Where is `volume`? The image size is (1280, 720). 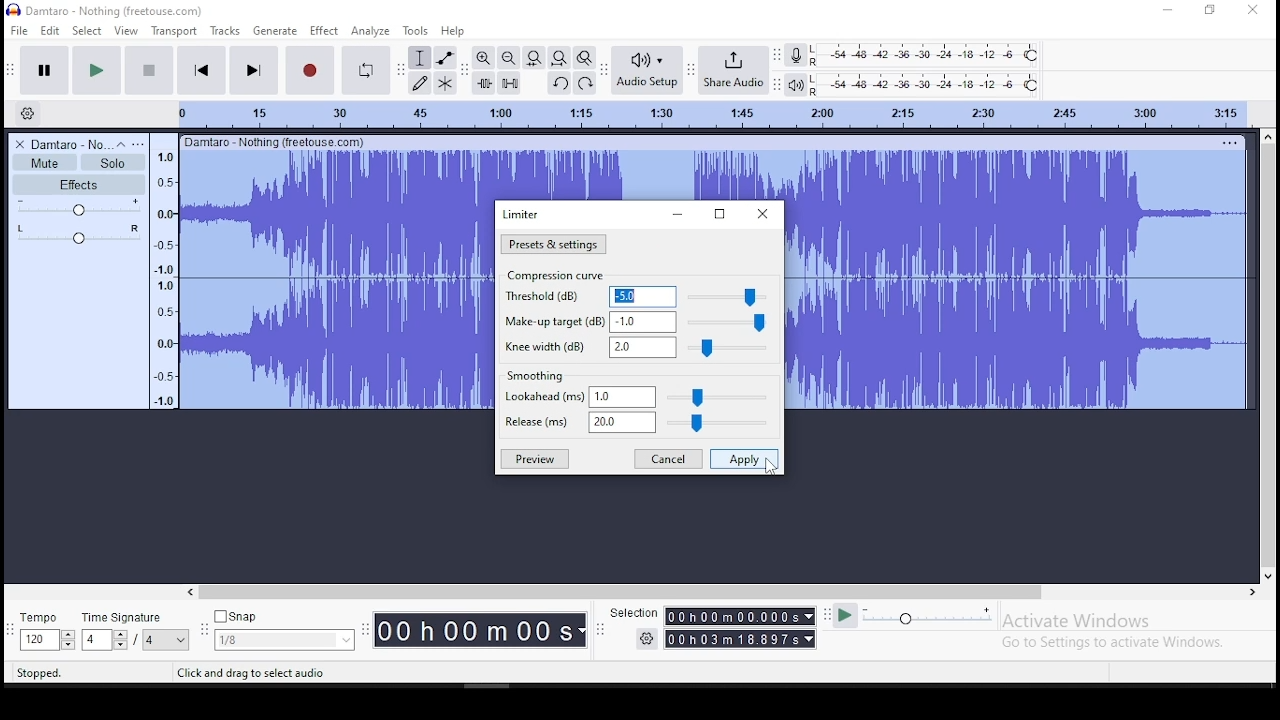
volume is located at coordinates (77, 208).